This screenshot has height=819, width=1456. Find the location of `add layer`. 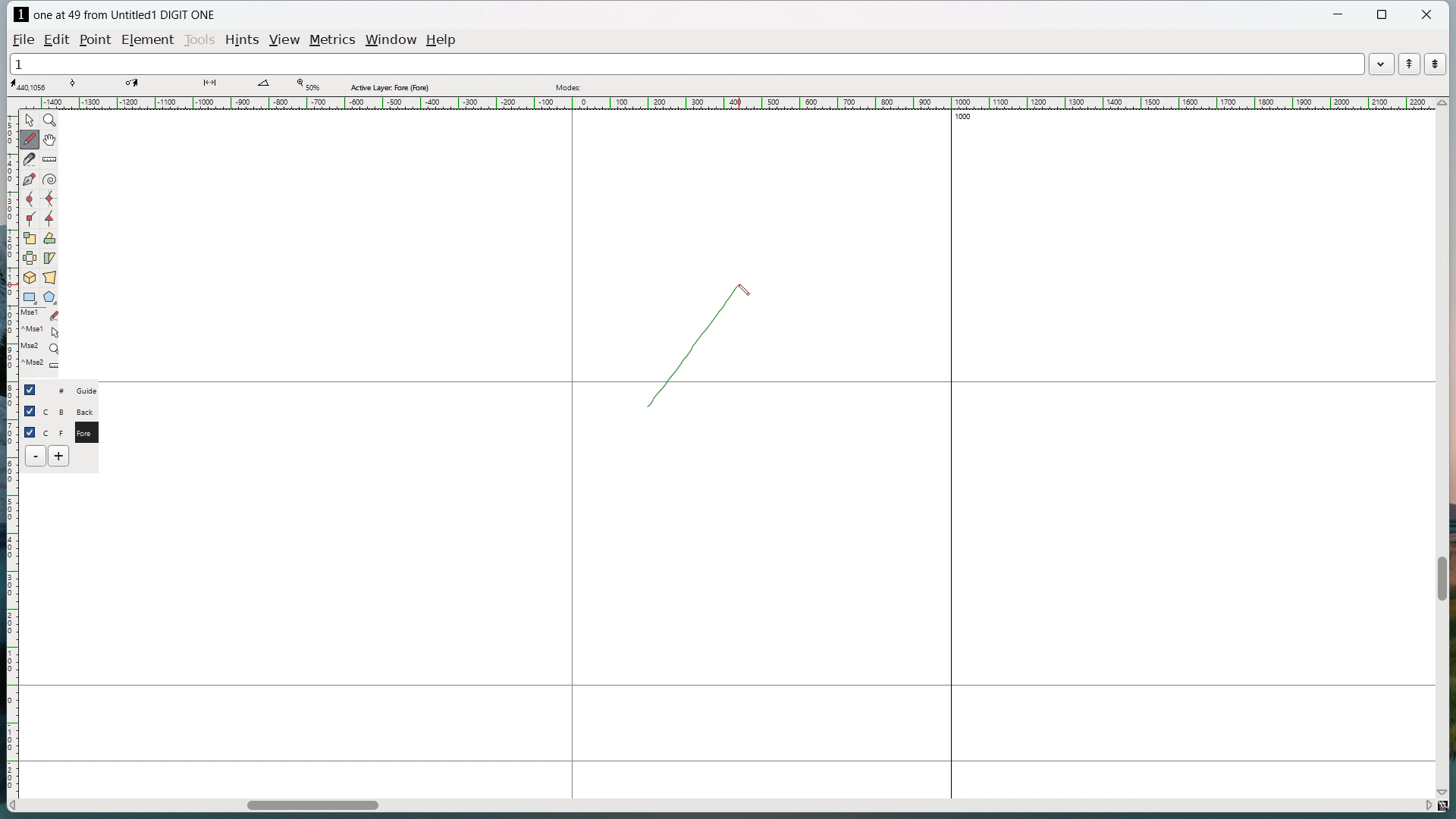

add layer is located at coordinates (60, 456).